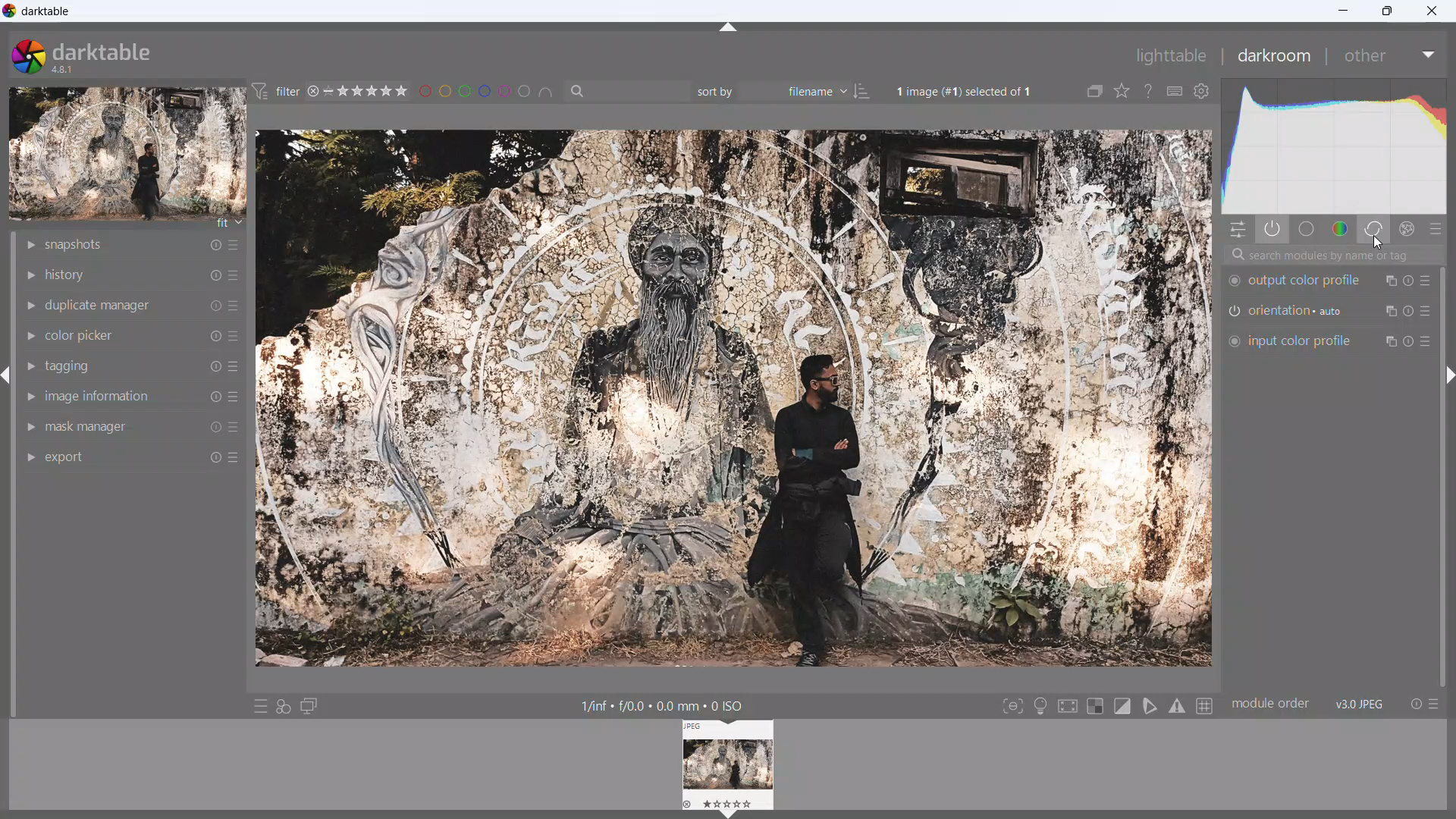 Image resolution: width=1456 pixels, height=819 pixels. I want to click on click to change the type of overlays shown on thumbnails, so click(1122, 92).